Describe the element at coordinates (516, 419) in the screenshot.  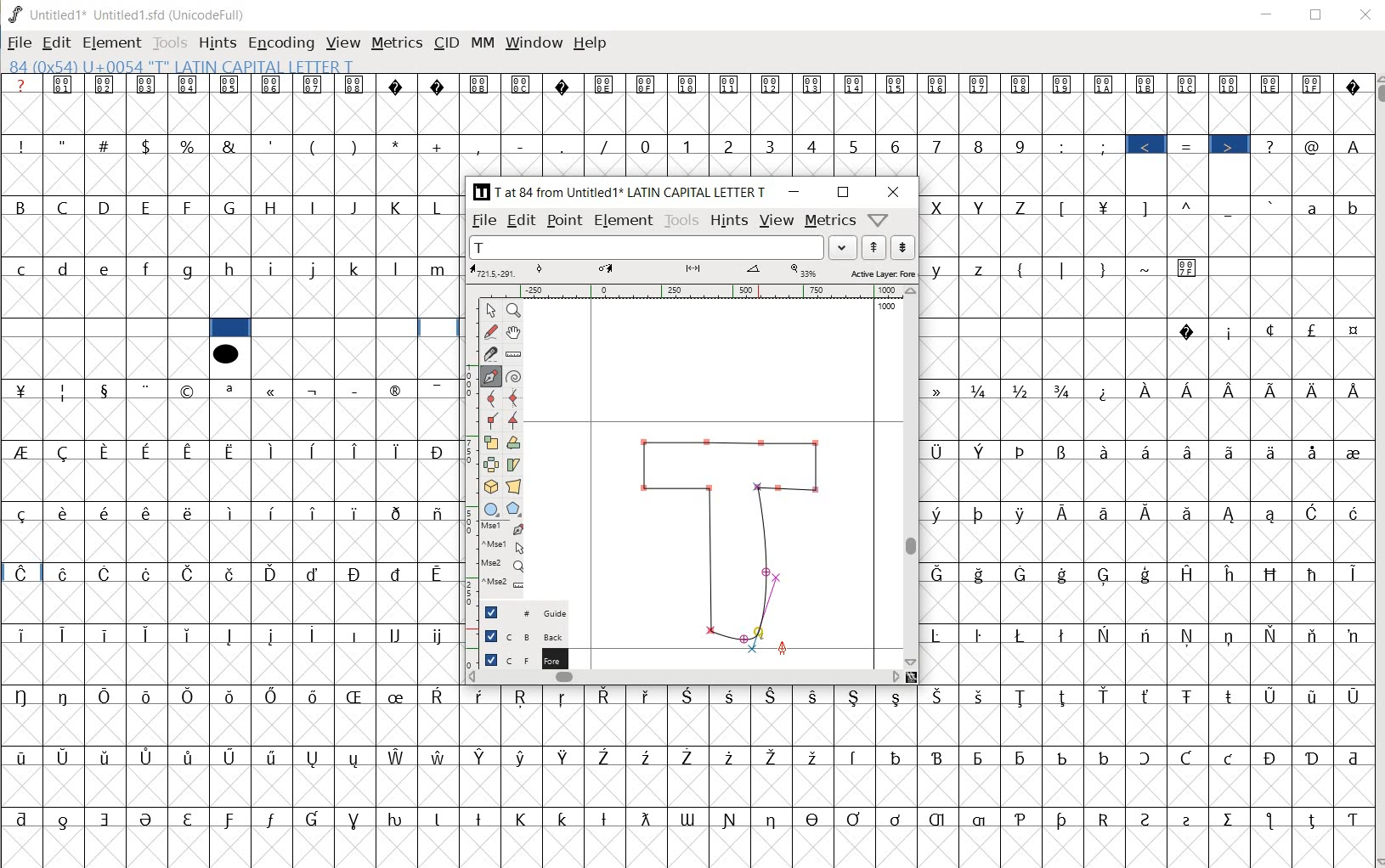
I see `tangent` at that location.